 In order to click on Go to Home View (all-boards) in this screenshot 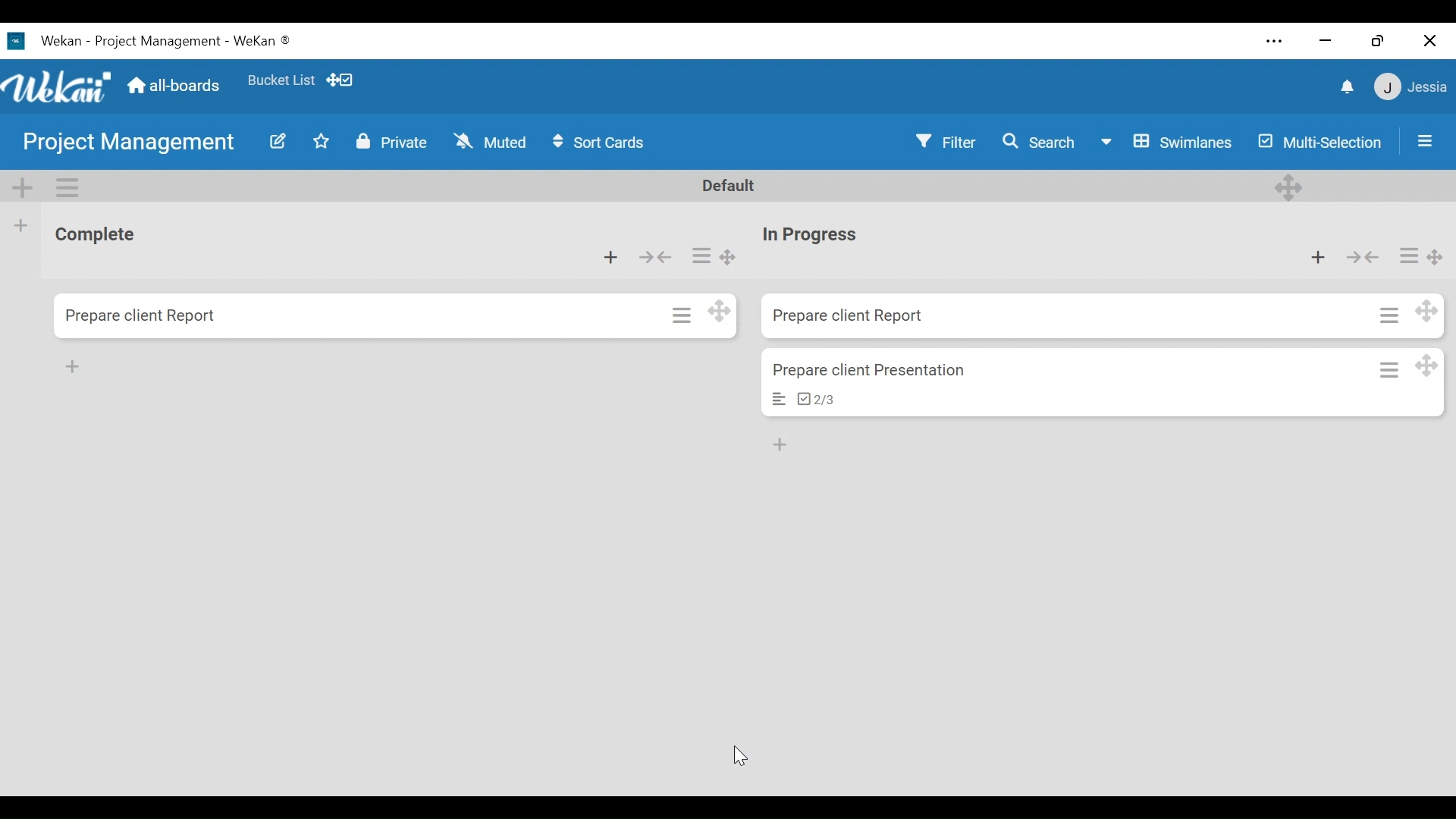, I will do `click(171, 86)`.